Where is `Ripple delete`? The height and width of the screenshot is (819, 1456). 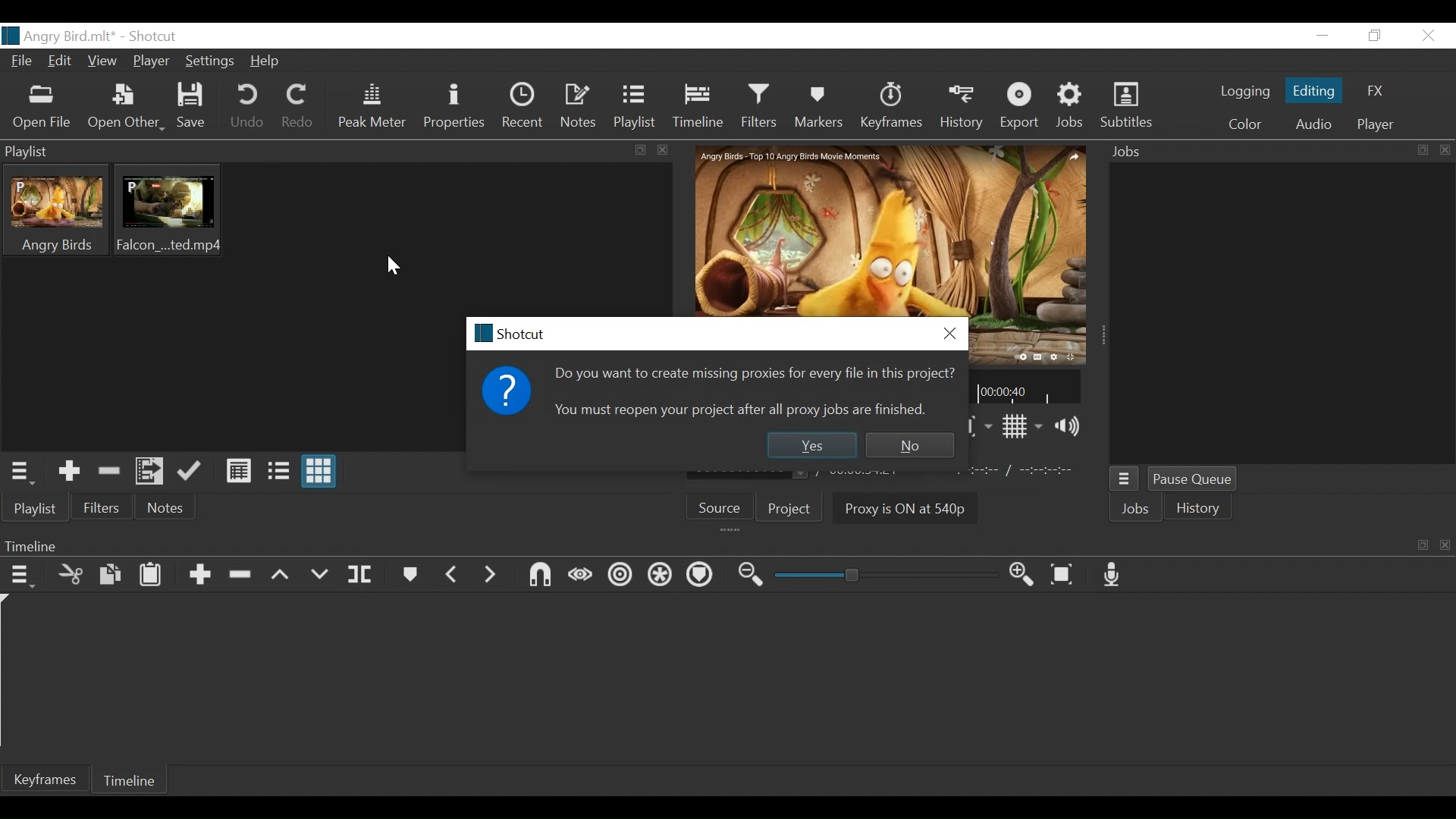
Ripple delete is located at coordinates (240, 576).